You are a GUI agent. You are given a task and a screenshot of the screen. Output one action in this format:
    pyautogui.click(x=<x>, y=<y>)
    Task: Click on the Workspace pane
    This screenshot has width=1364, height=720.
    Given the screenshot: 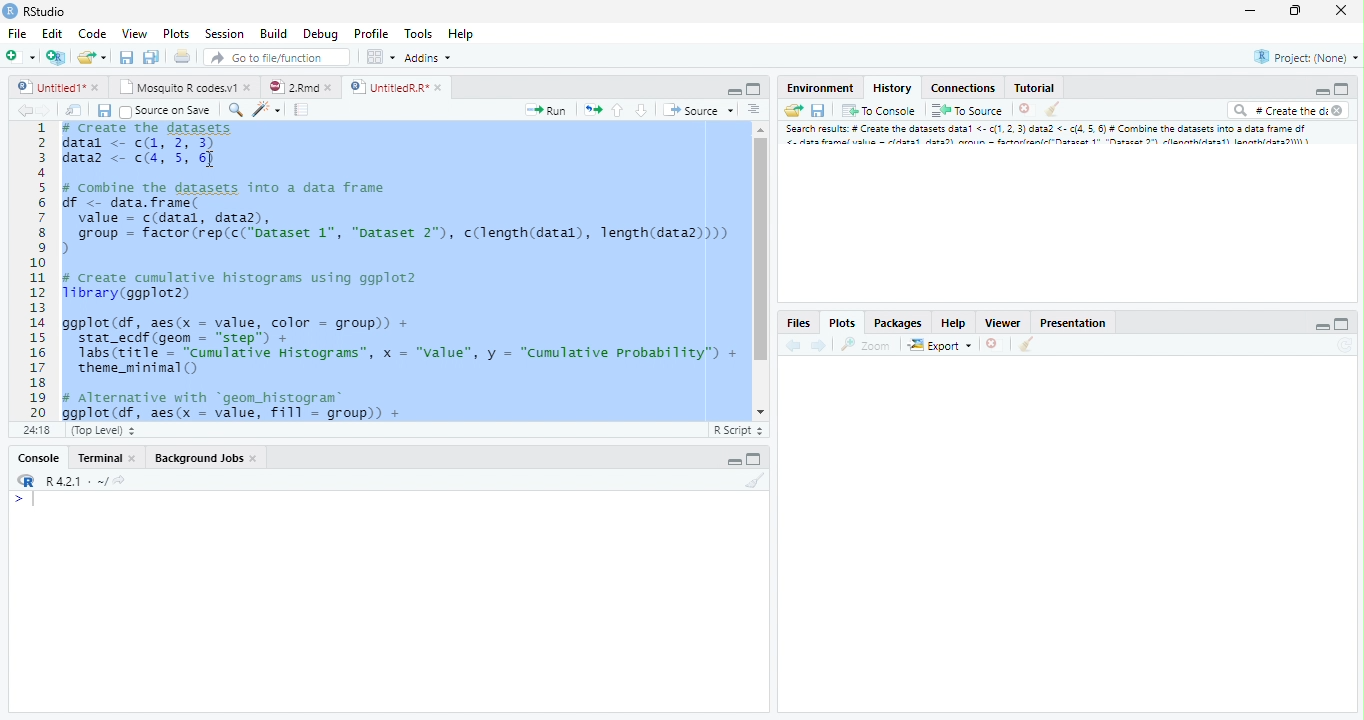 What is the action you would take?
    pyautogui.click(x=381, y=58)
    